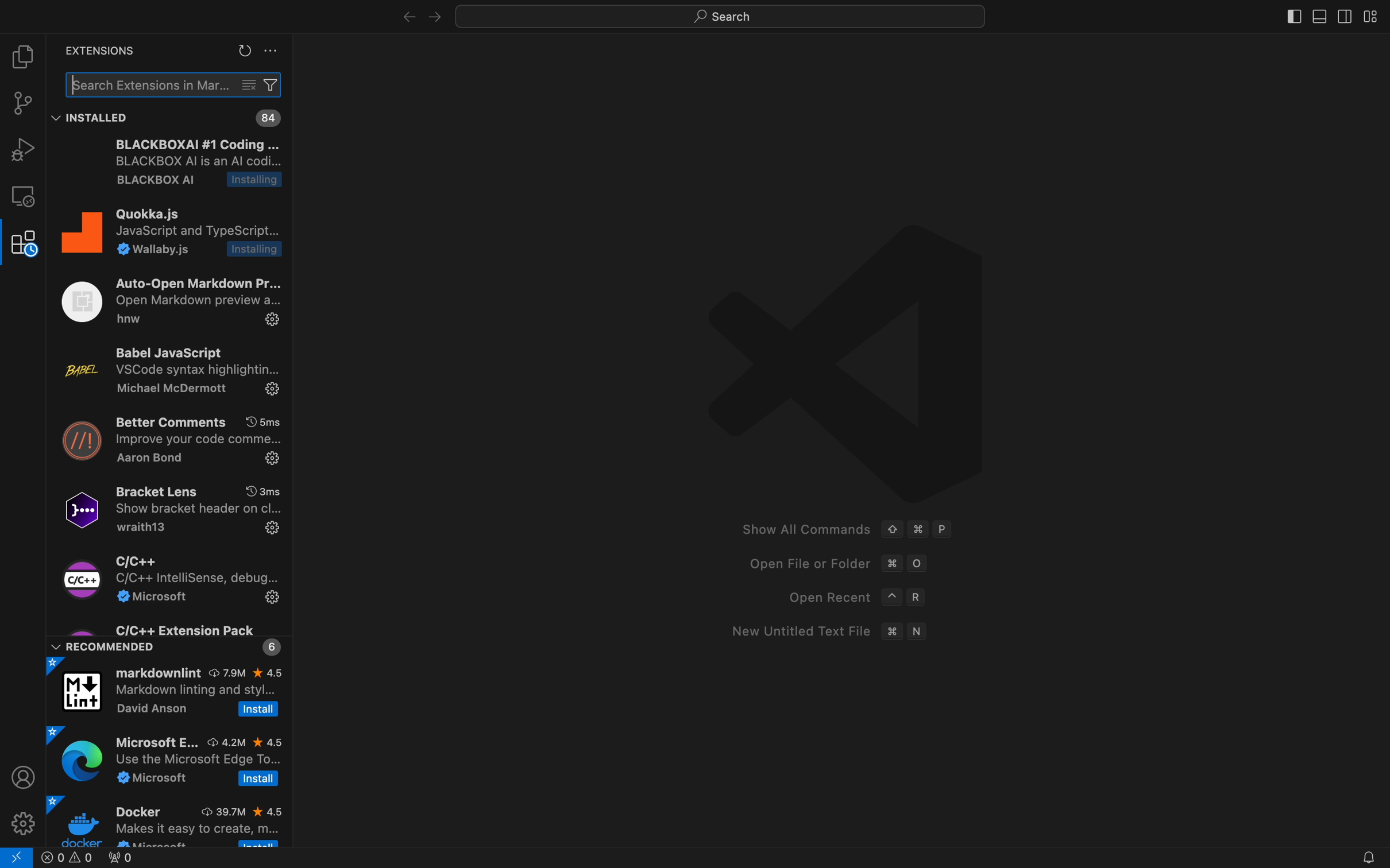  Describe the element at coordinates (1368, 850) in the screenshot. I see `notification` at that location.